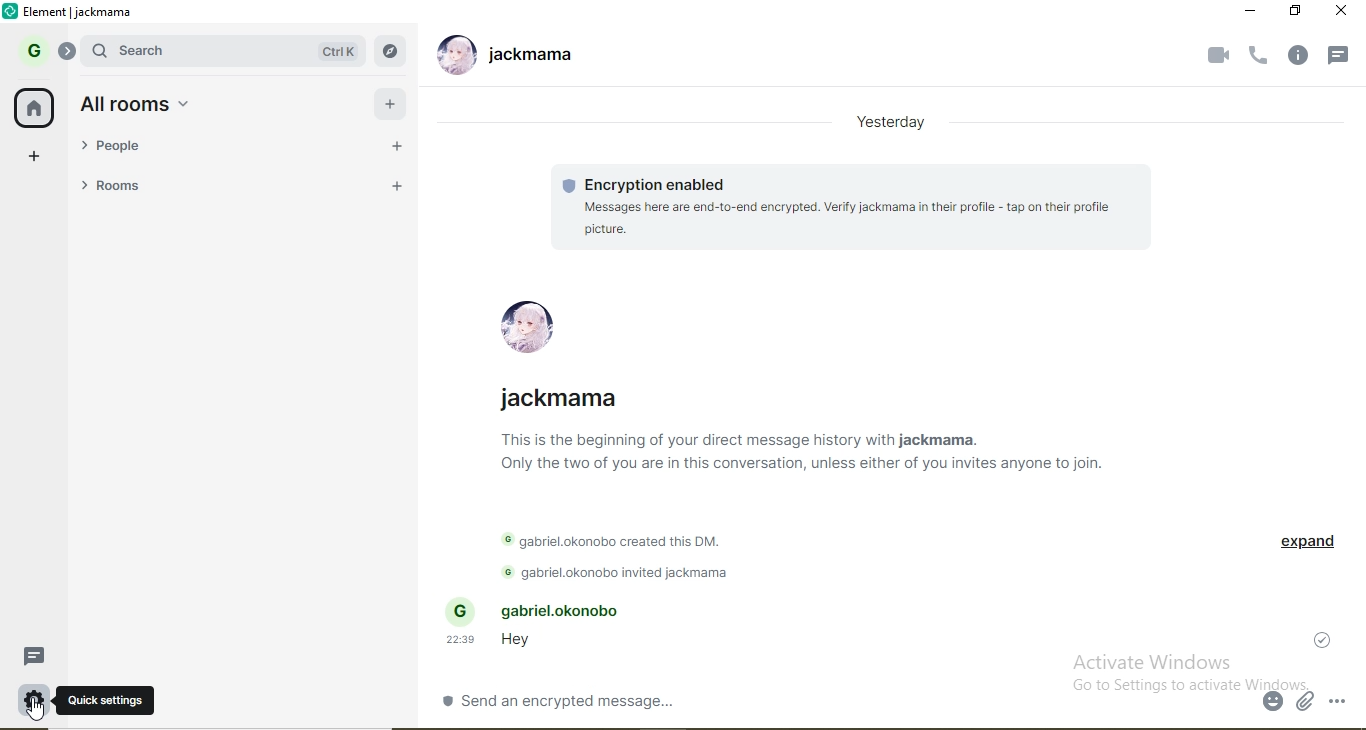 The image size is (1366, 730). I want to click on ctrl+k, so click(334, 53).